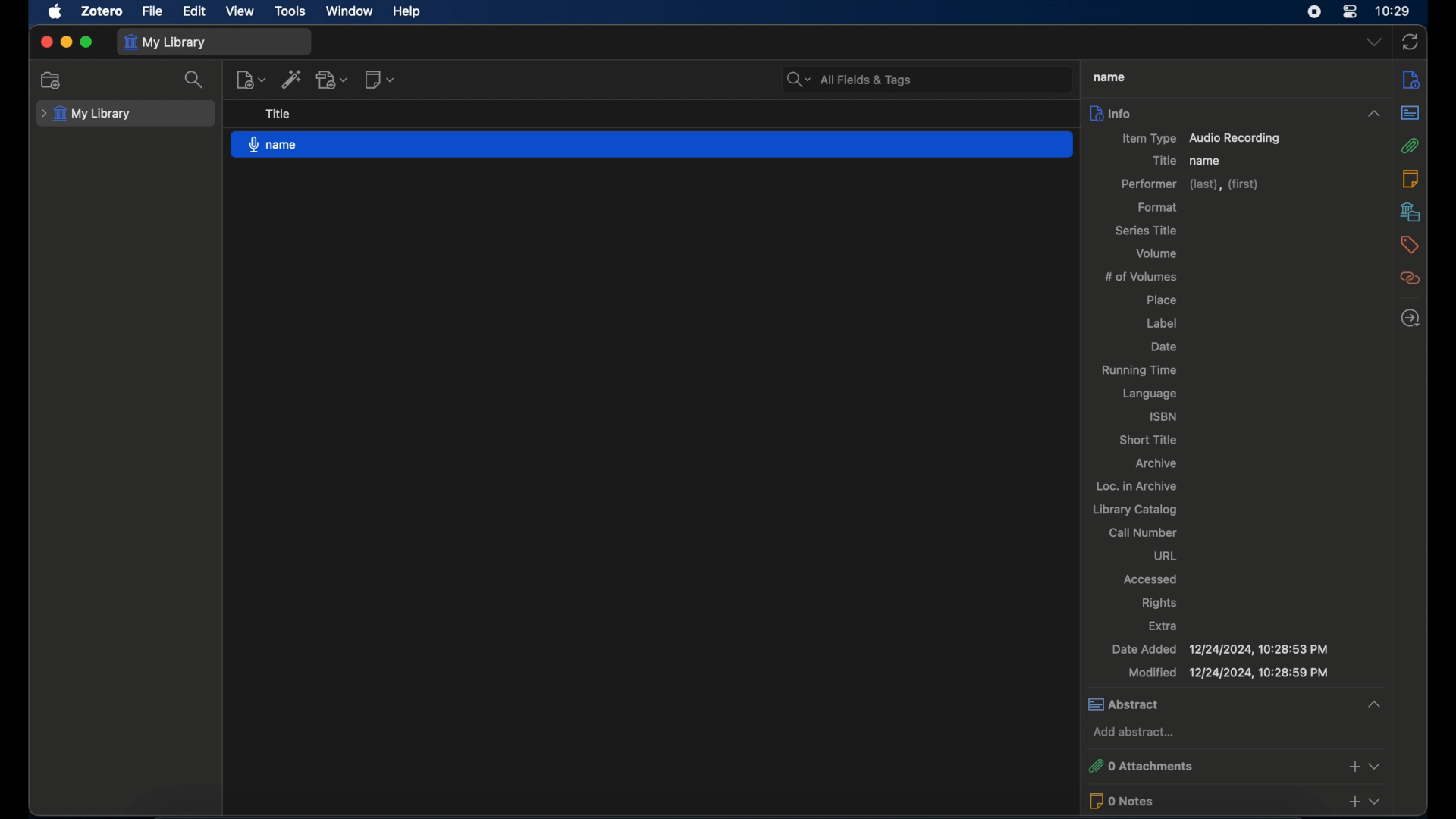  Describe the element at coordinates (332, 80) in the screenshot. I see `add attachments` at that location.